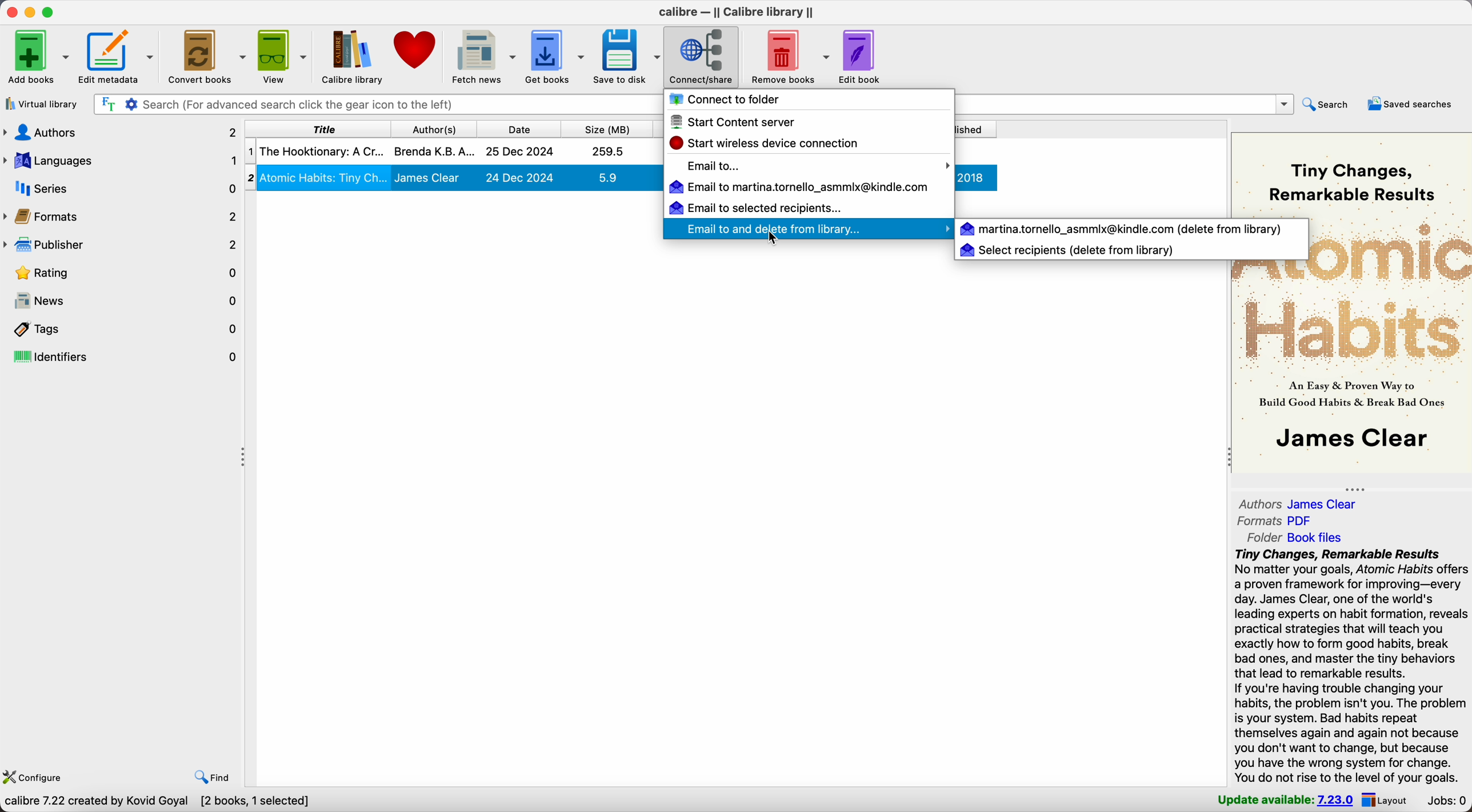 The height and width of the screenshot is (812, 1472). Describe the element at coordinates (802, 187) in the screenshot. I see `| @ Email to martina.tornello_asmmix@kindle.com` at that location.